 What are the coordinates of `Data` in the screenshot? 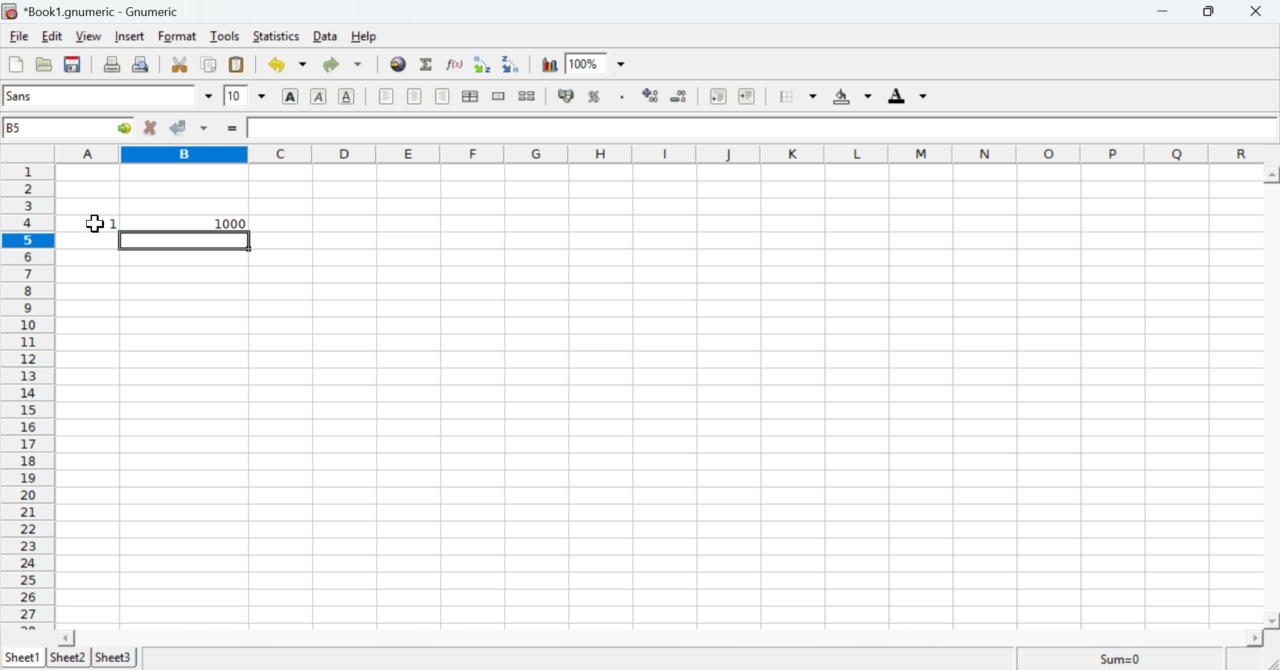 It's located at (327, 37).